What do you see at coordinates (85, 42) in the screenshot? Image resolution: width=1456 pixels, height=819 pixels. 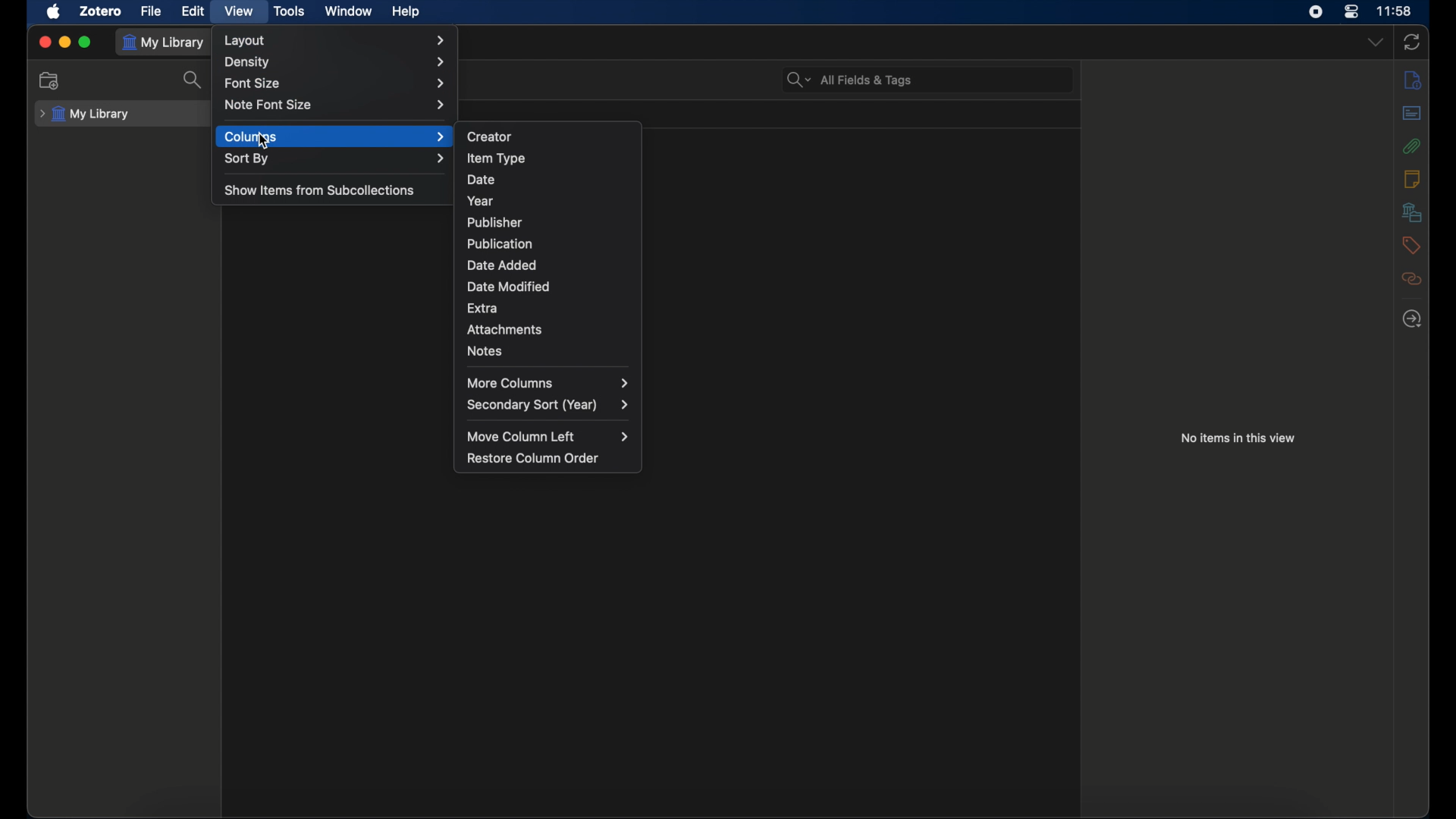 I see `maximize` at bounding box center [85, 42].